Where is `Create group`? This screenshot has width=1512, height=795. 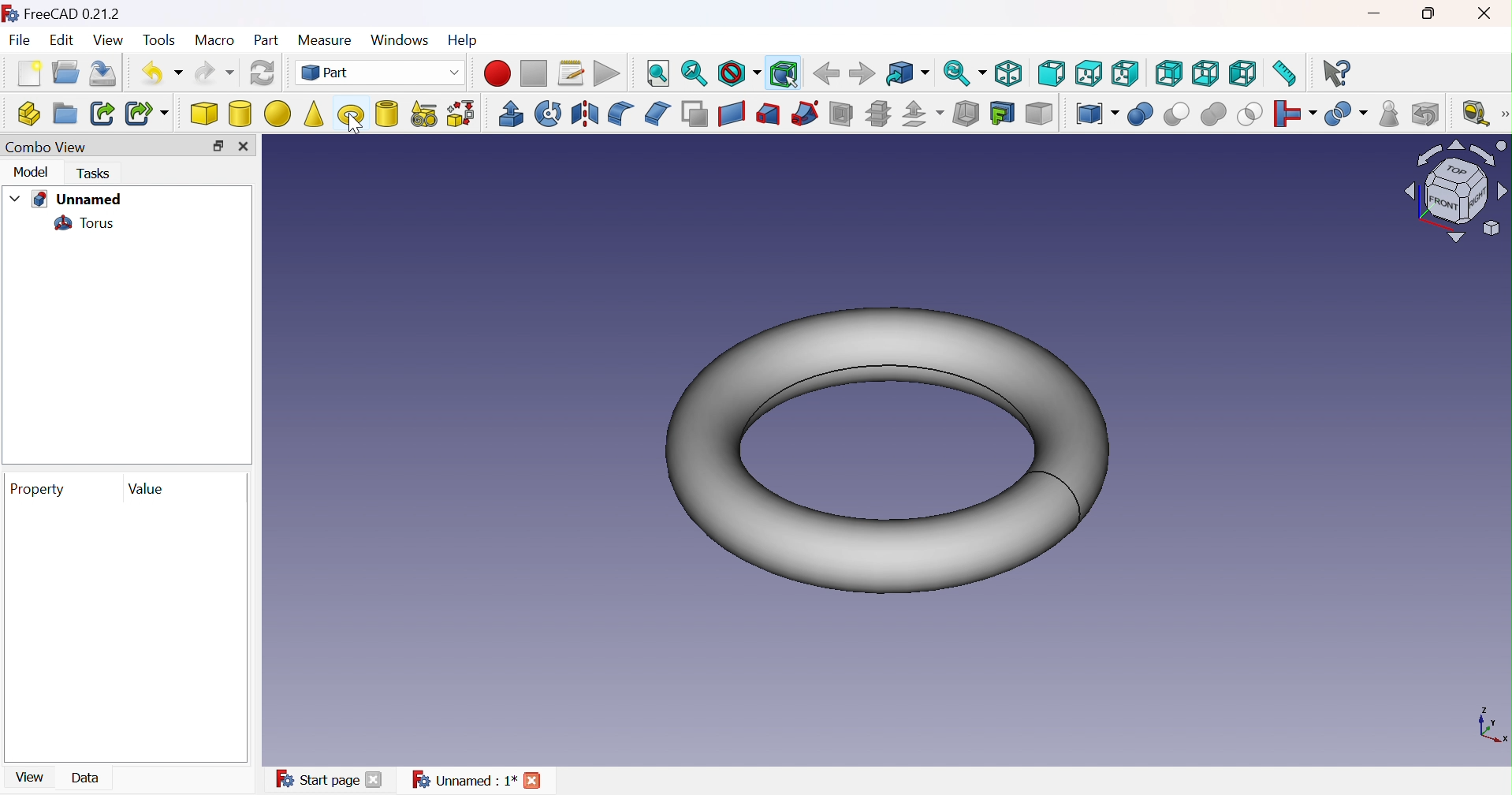
Create group is located at coordinates (65, 71).